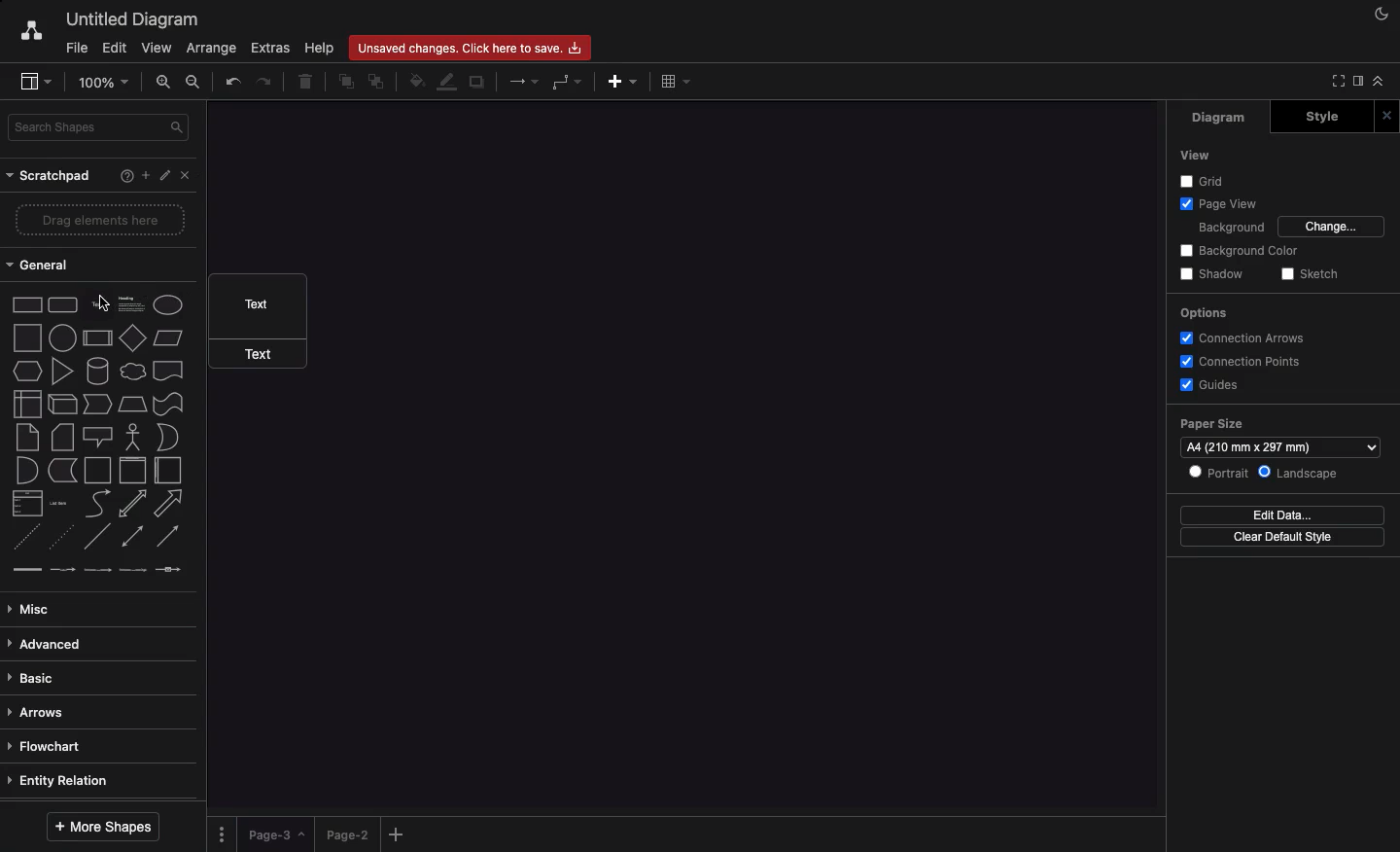  What do you see at coordinates (1208, 385) in the screenshot?
I see `Guides` at bounding box center [1208, 385].